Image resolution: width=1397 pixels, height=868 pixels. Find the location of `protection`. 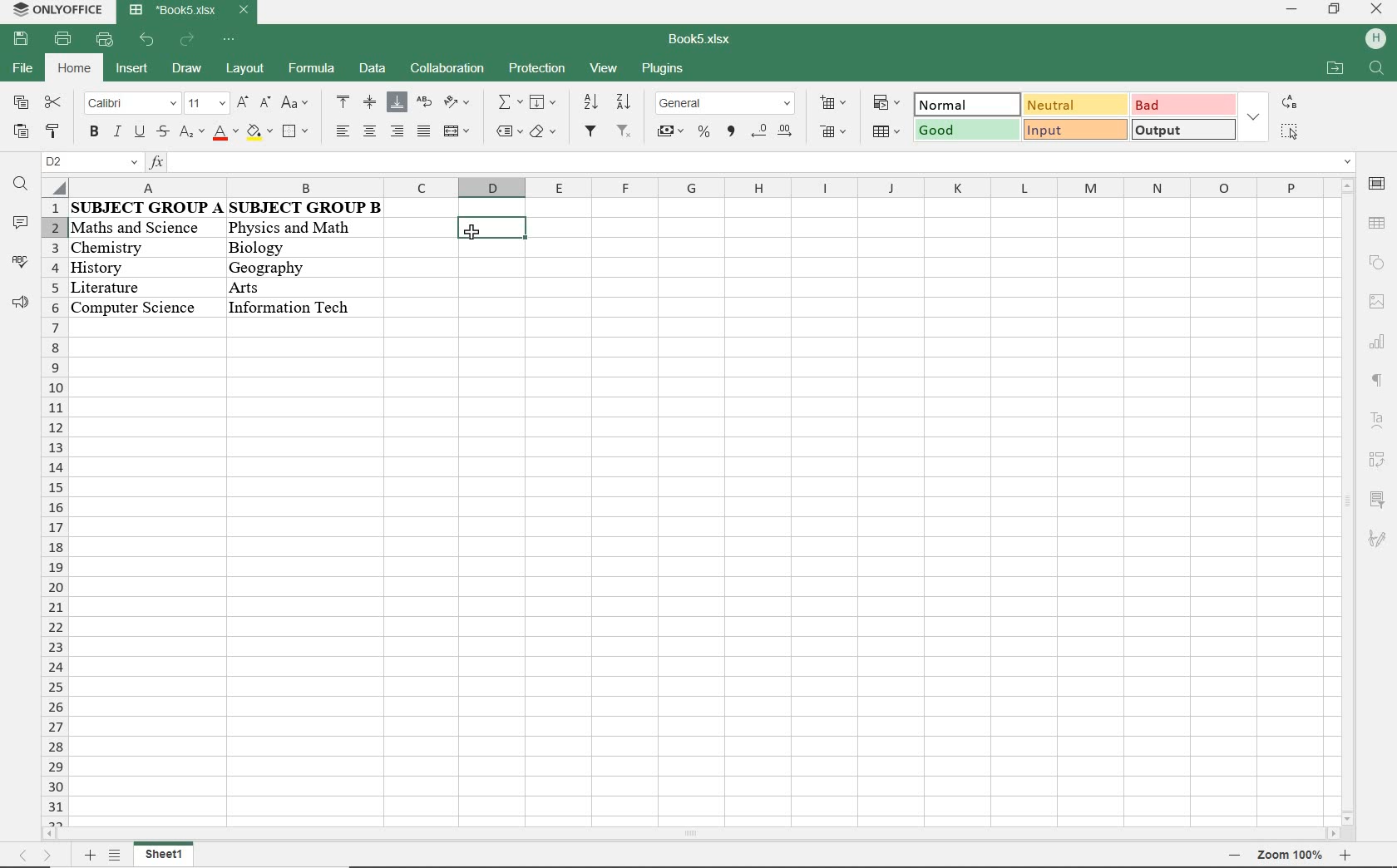

protection is located at coordinates (536, 70).